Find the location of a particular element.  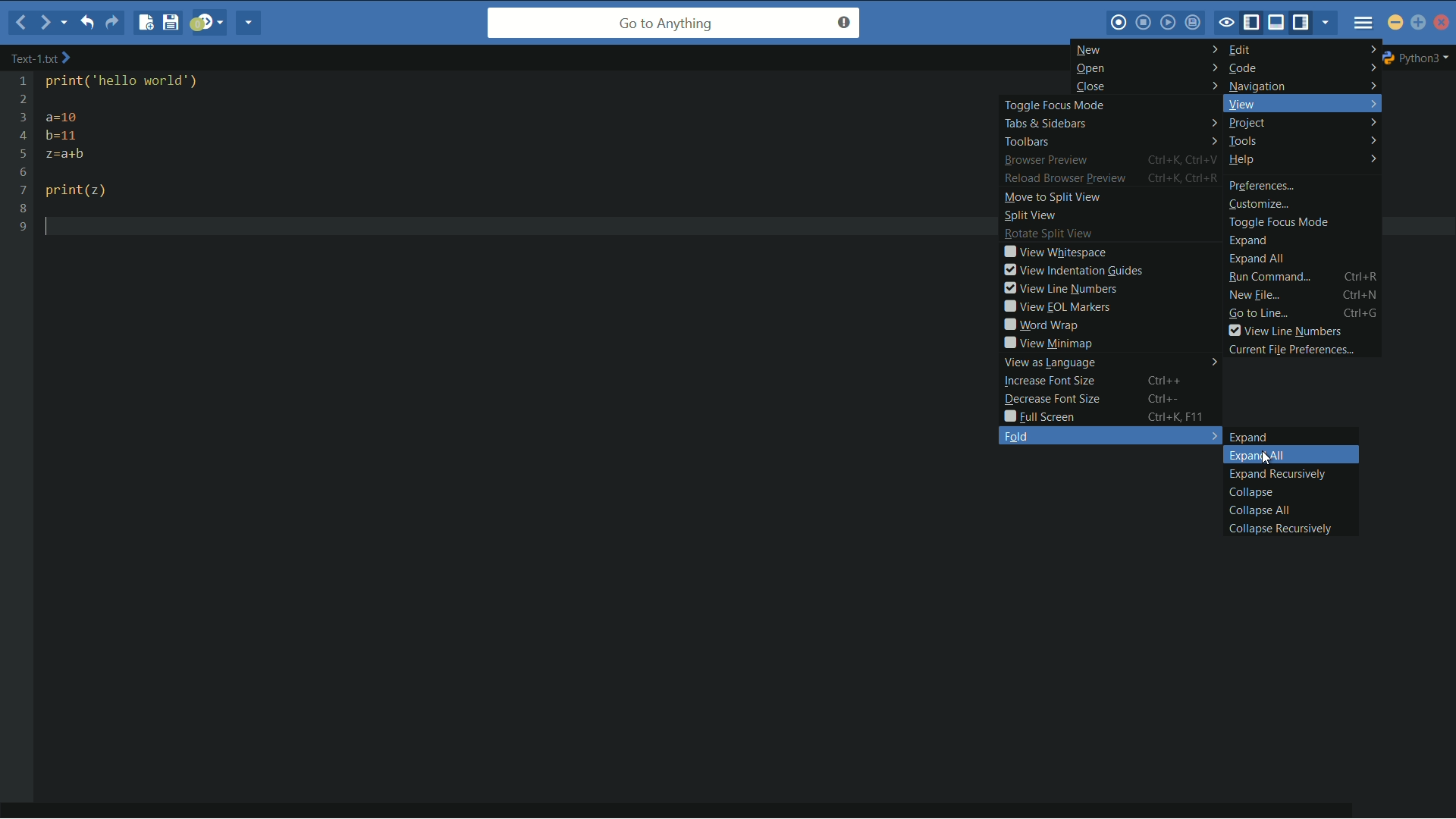

Ctrl+K, F11 is located at coordinates (1181, 416).